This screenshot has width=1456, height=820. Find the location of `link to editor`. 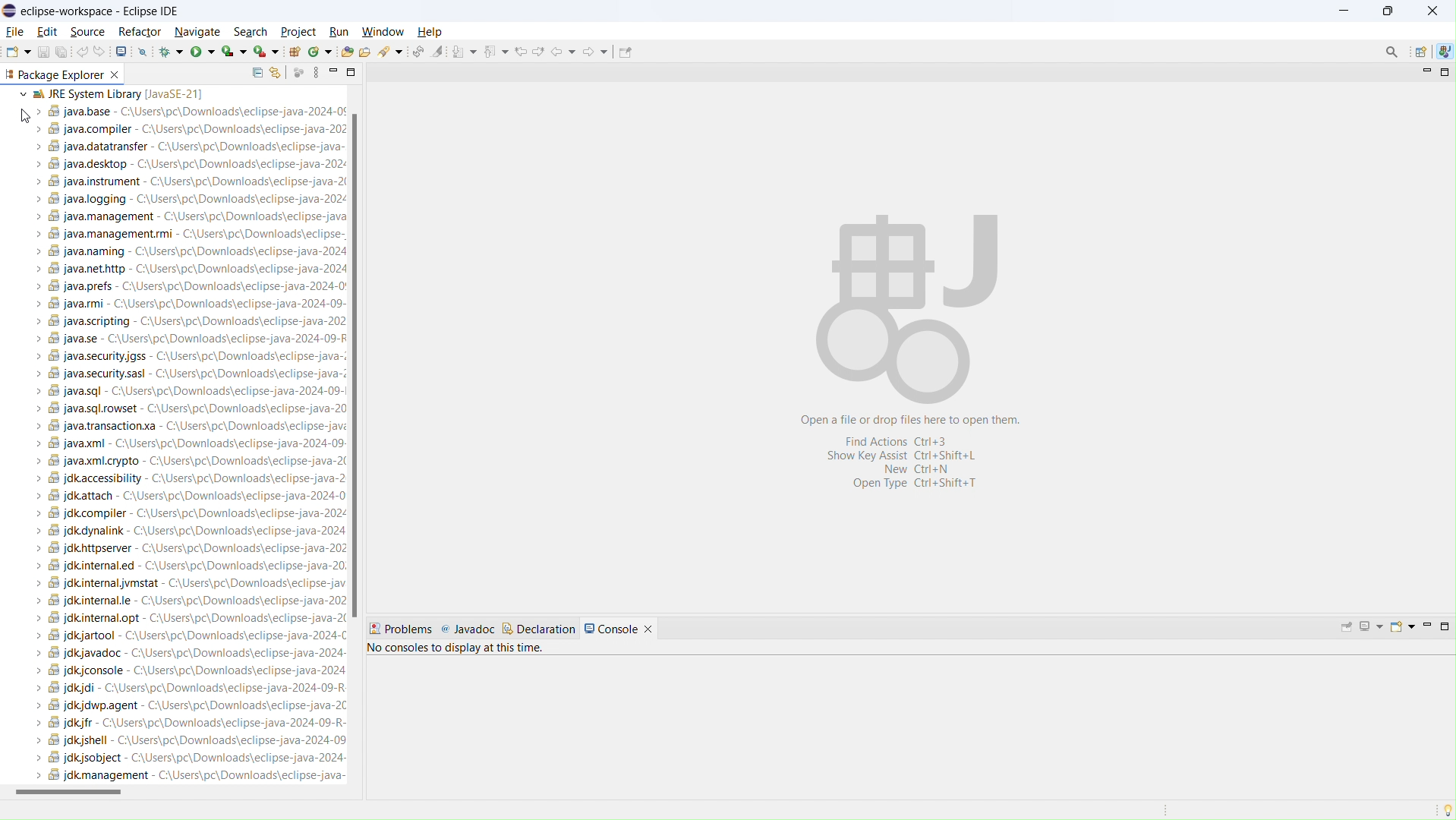

link to editor is located at coordinates (275, 72).